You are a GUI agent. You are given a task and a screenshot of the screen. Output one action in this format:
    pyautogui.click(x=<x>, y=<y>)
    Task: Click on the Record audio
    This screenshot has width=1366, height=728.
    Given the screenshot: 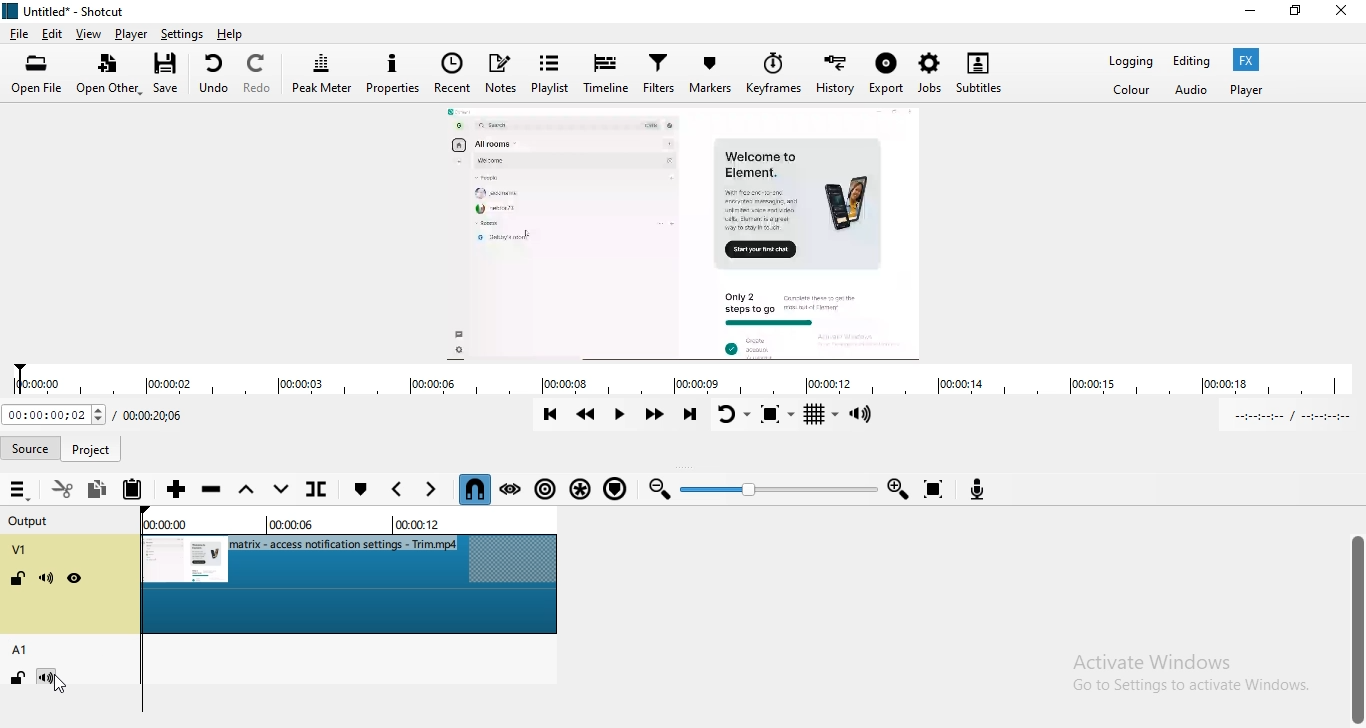 What is the action you would take?
    pyautogui.click(x=982, y=488)
    